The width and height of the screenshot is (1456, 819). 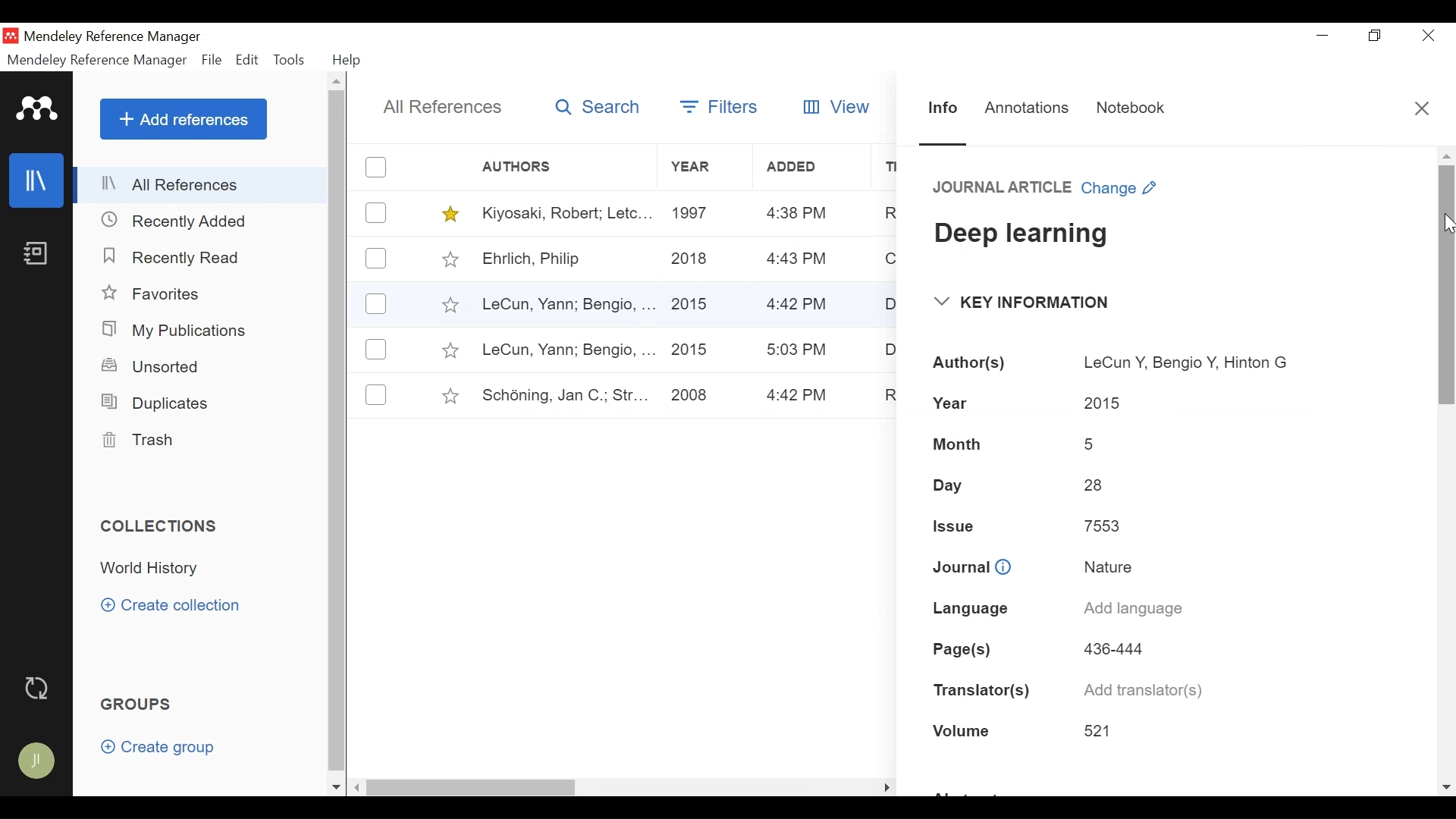 What do you see at coordinates (375, 258) in the screenshot?
I see `(un)select` at bounding box center [375, 258].